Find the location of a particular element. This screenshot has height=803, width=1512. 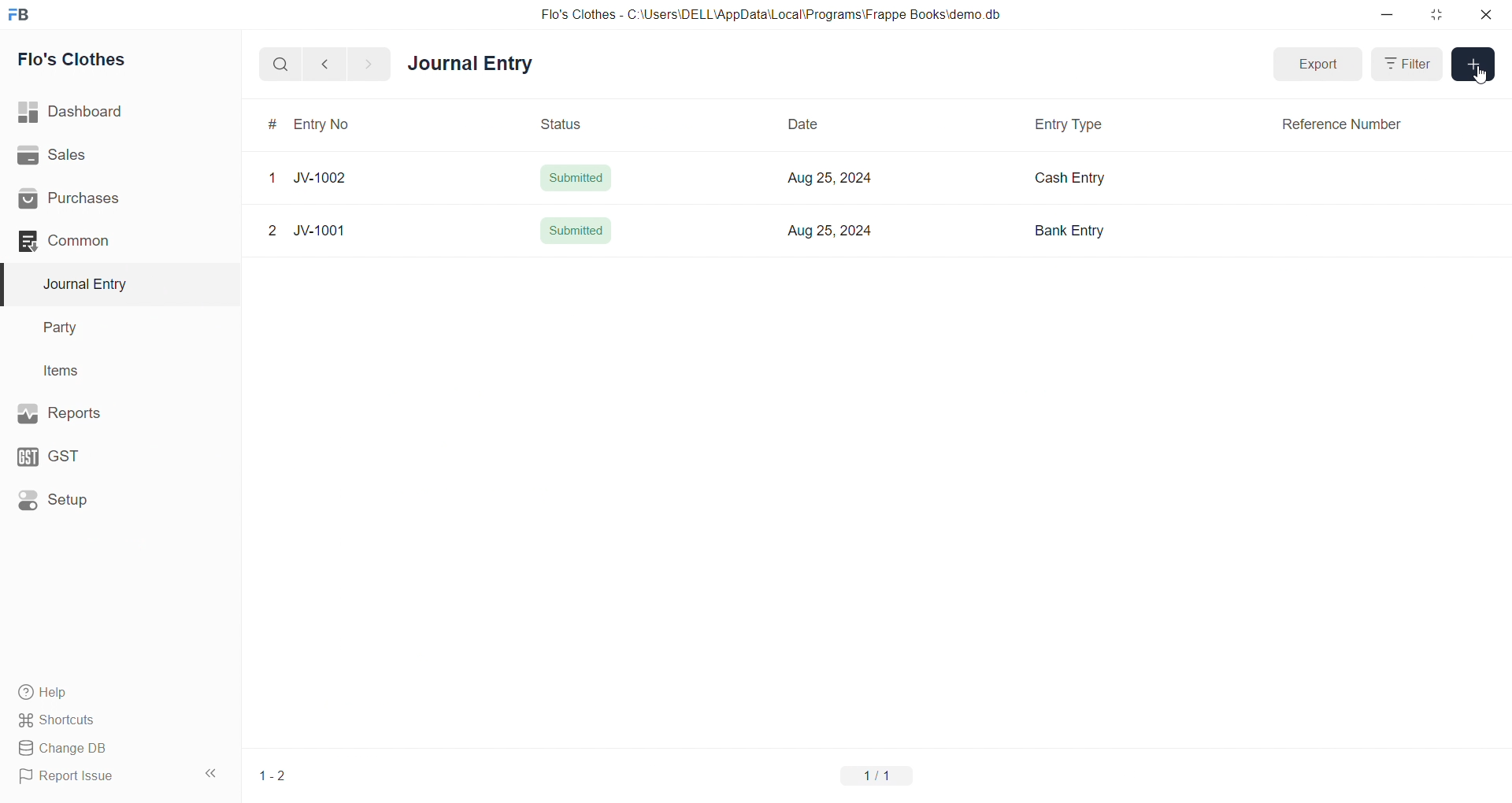

# is located at coordinates (272, 124).